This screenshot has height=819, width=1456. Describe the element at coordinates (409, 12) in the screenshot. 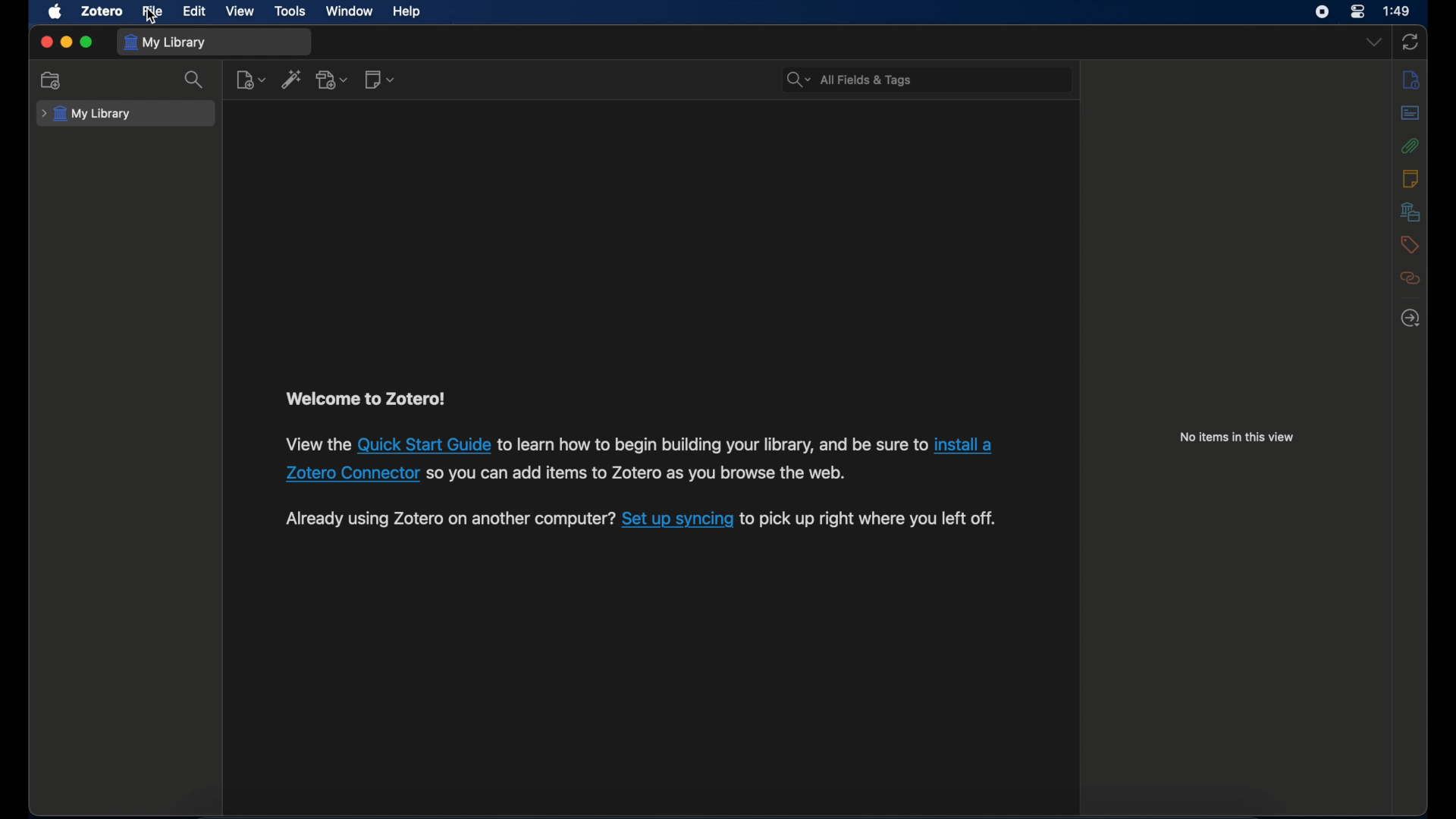

I see `help` at that location.